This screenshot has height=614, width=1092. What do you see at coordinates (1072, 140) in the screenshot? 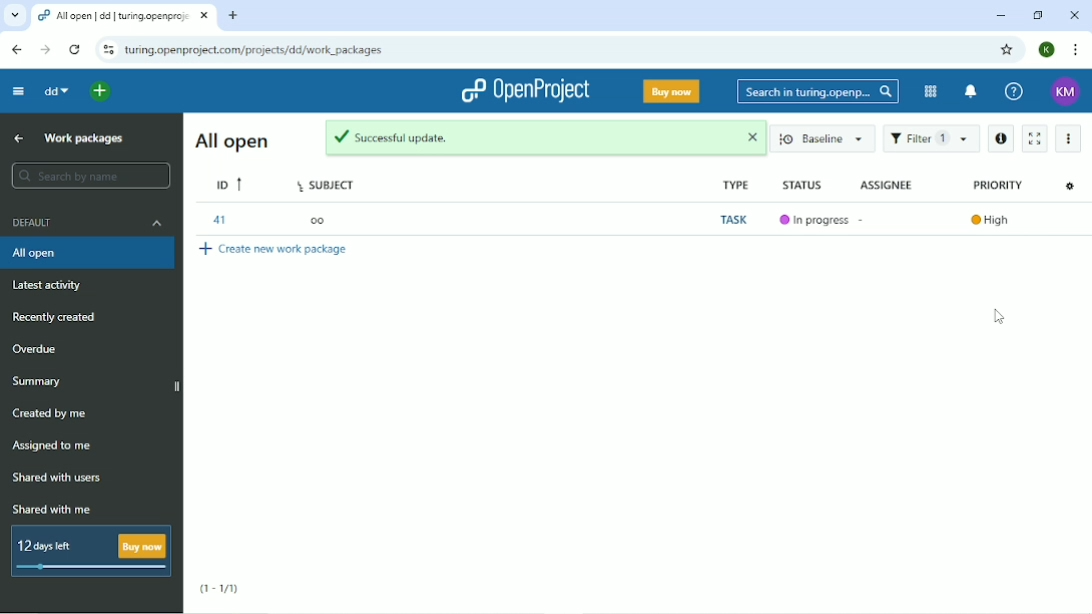
I see `More actions` at bounding box center [1072, 140].